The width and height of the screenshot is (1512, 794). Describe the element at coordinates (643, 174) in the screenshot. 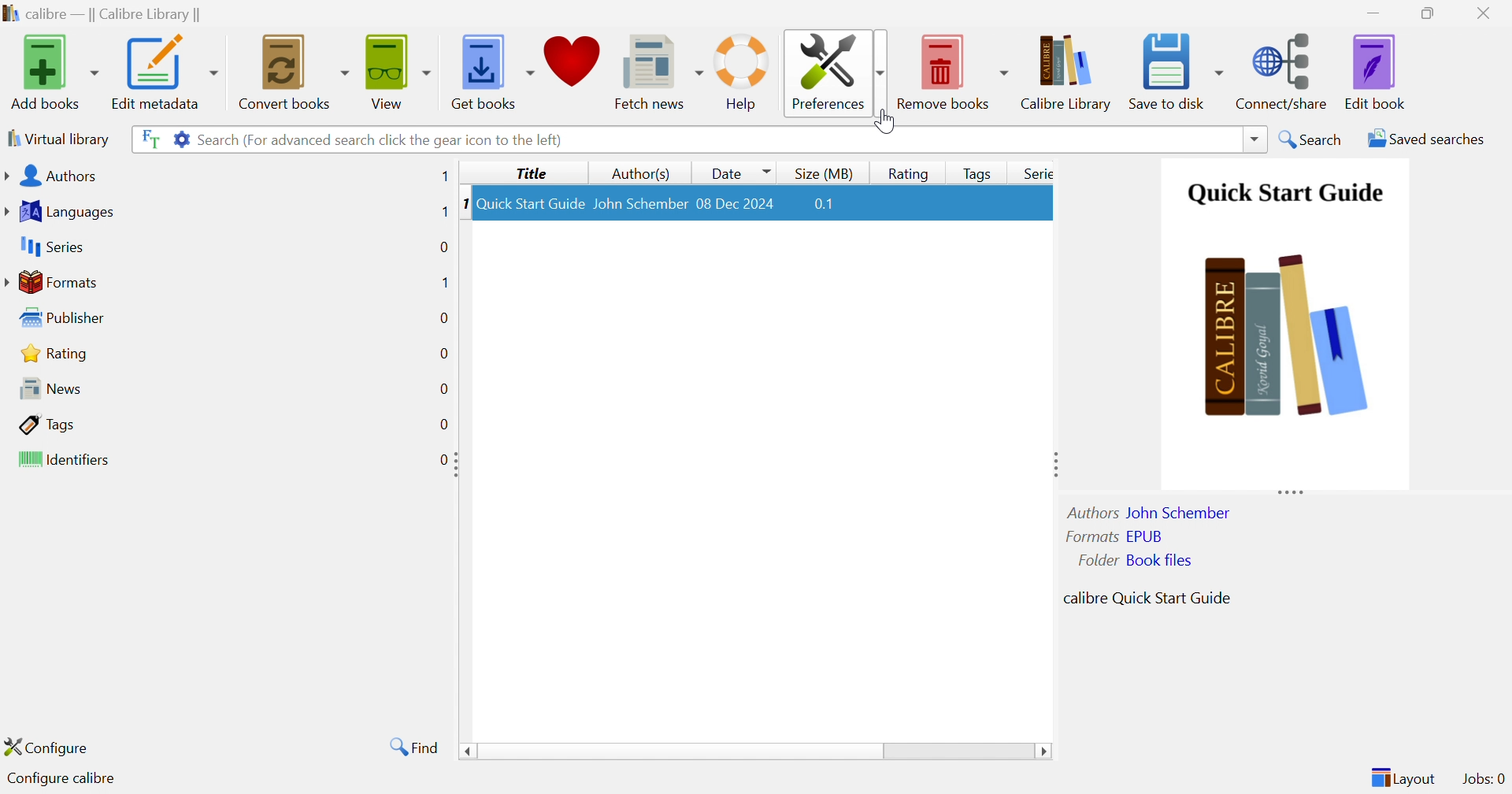

I see `Author(s)` at that location.